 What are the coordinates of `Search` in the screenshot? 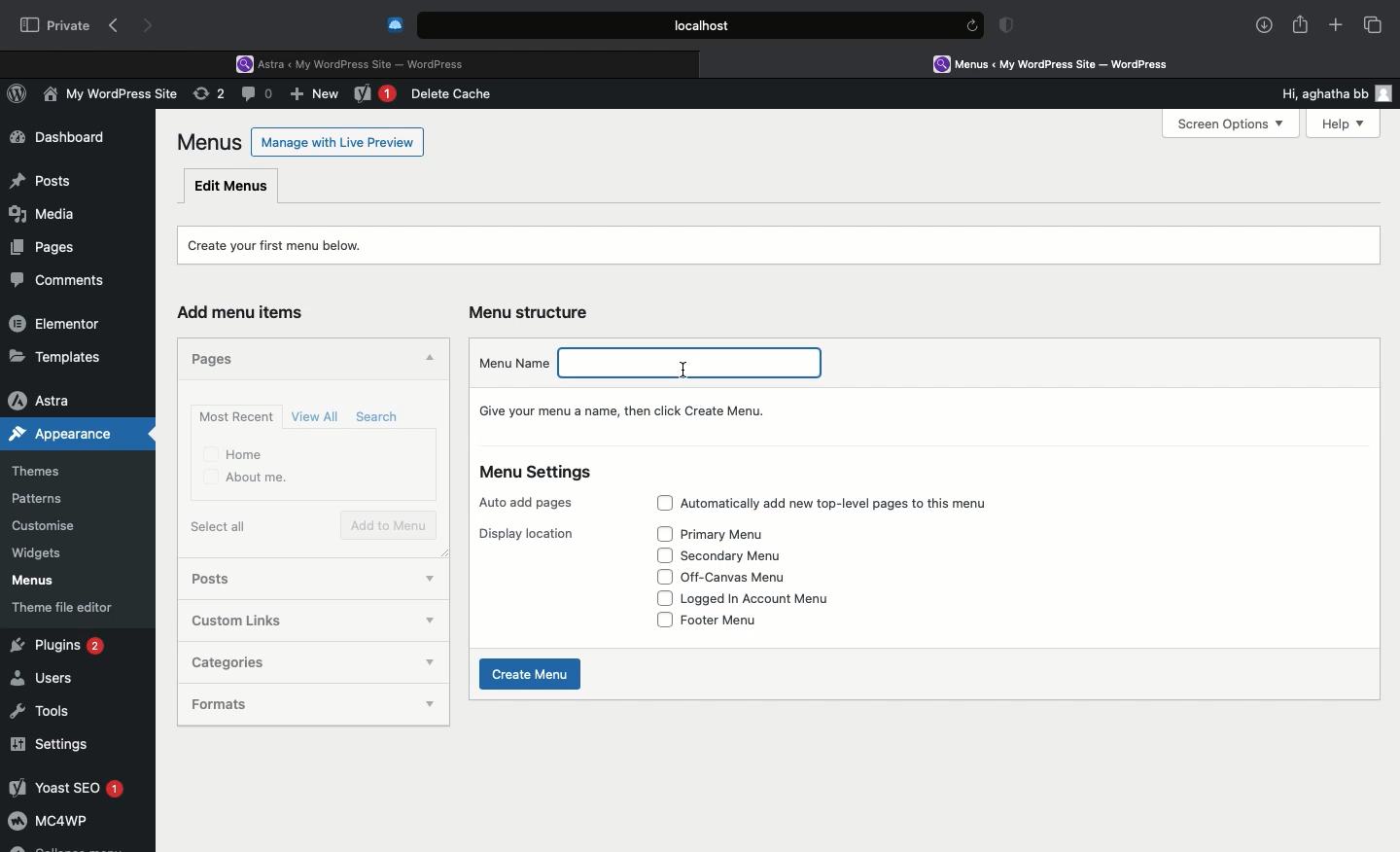 It's located at (380, 417).